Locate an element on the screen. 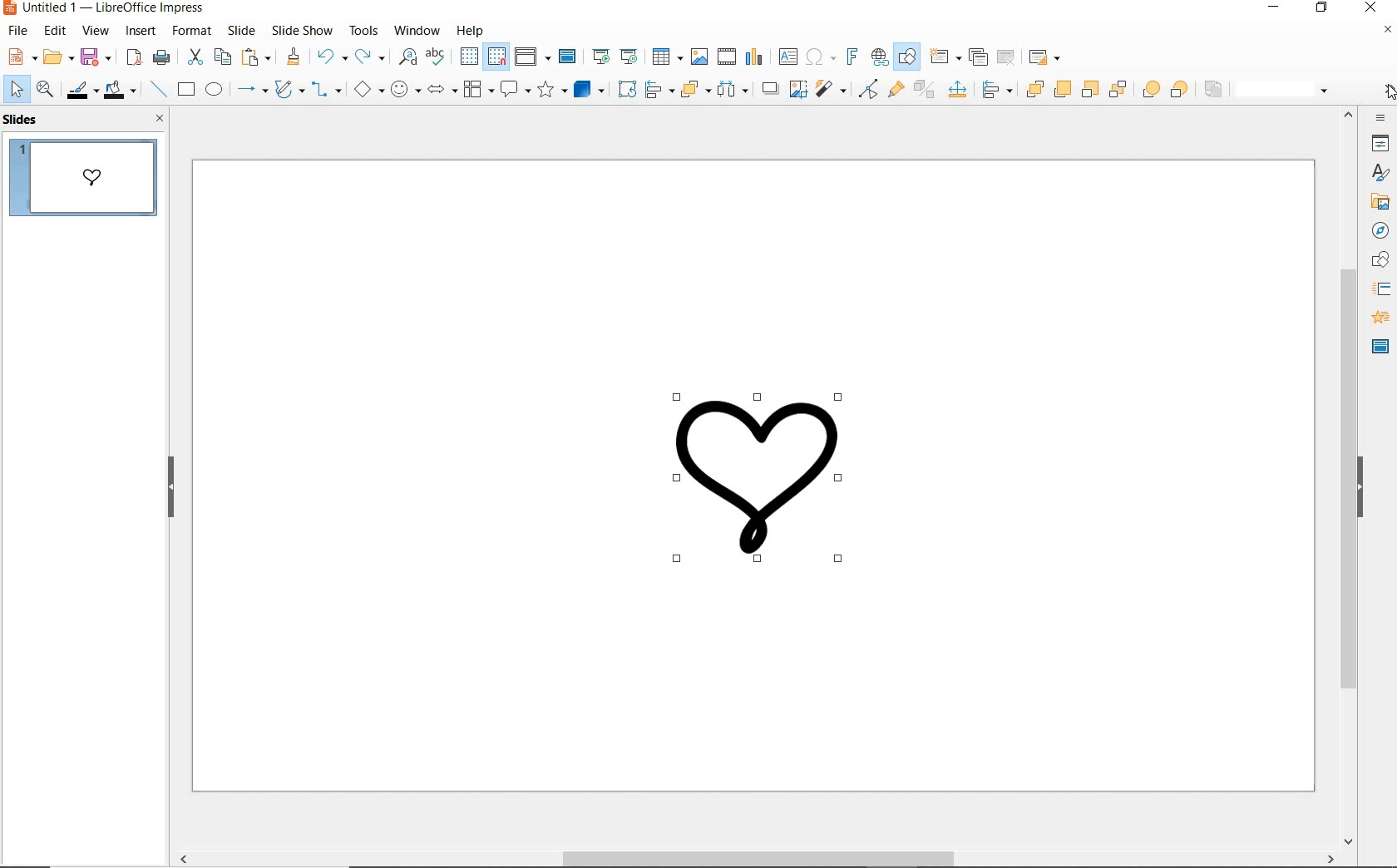 This screenshot has height=868, width=1397. spelling is located at coordinates (437, 57).